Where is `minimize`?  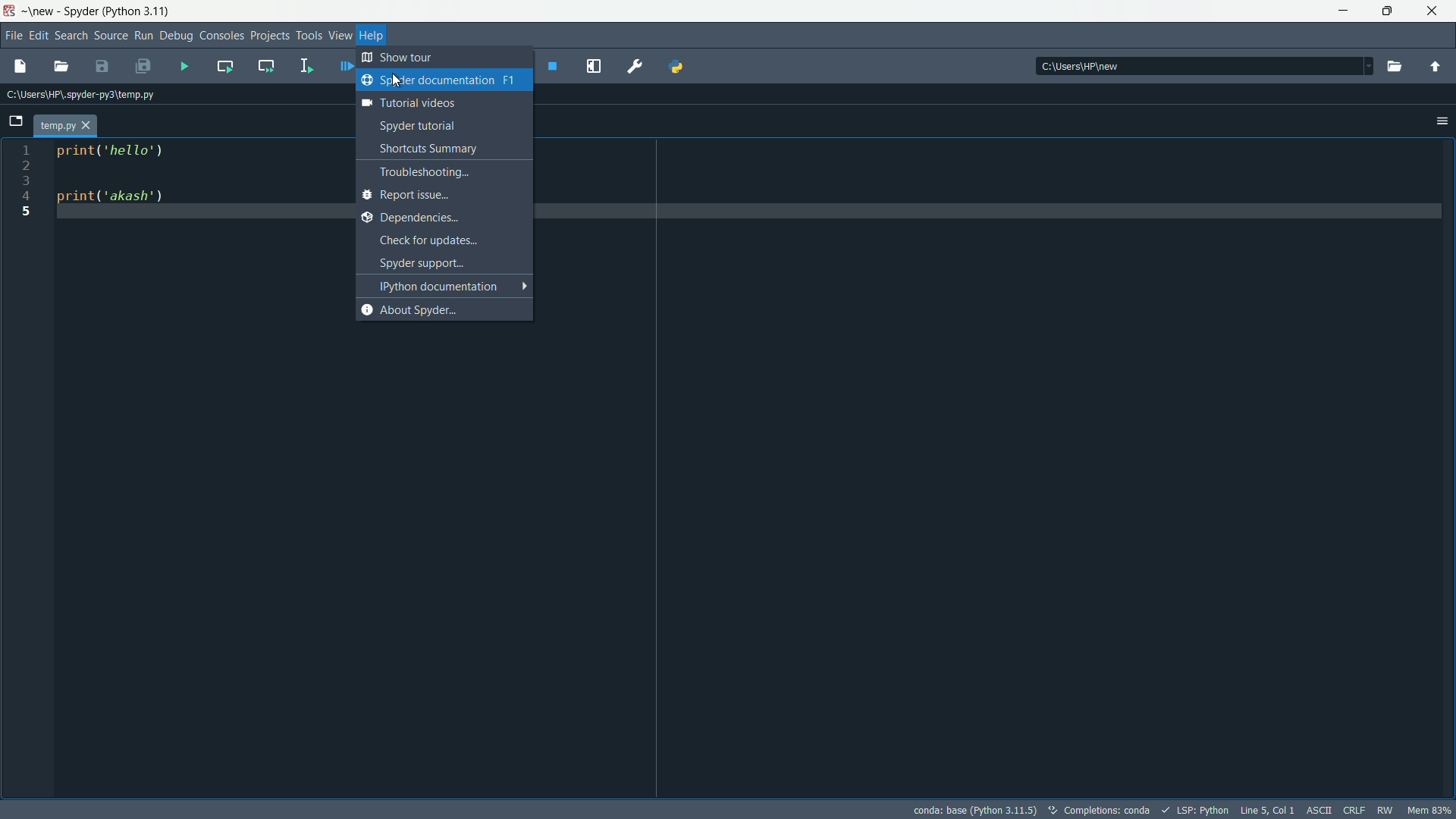 minimize is located at coordinates (1341, 11).